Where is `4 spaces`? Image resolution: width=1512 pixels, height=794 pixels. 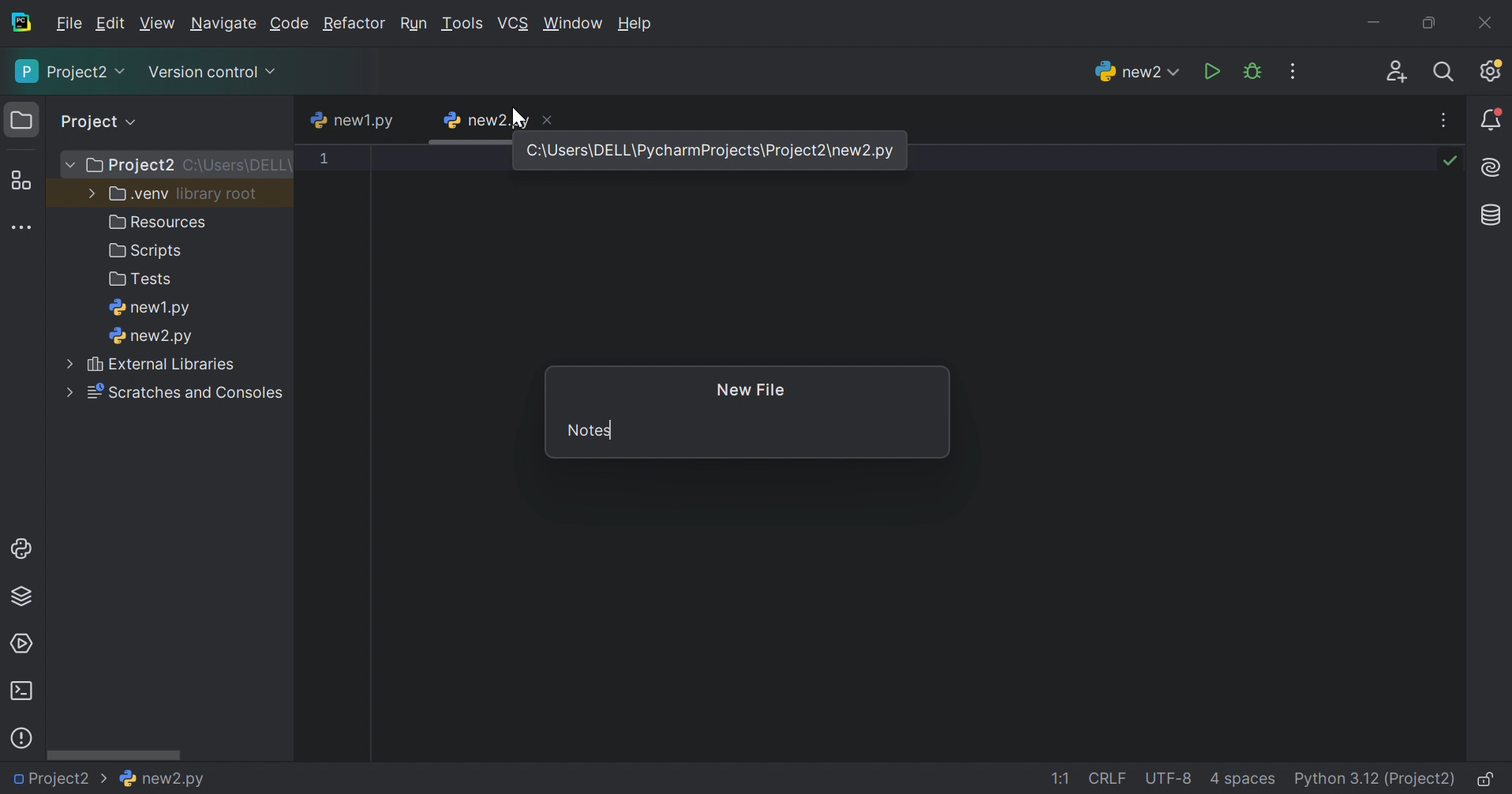
4 spaces is located at coordinates (1243, 781).